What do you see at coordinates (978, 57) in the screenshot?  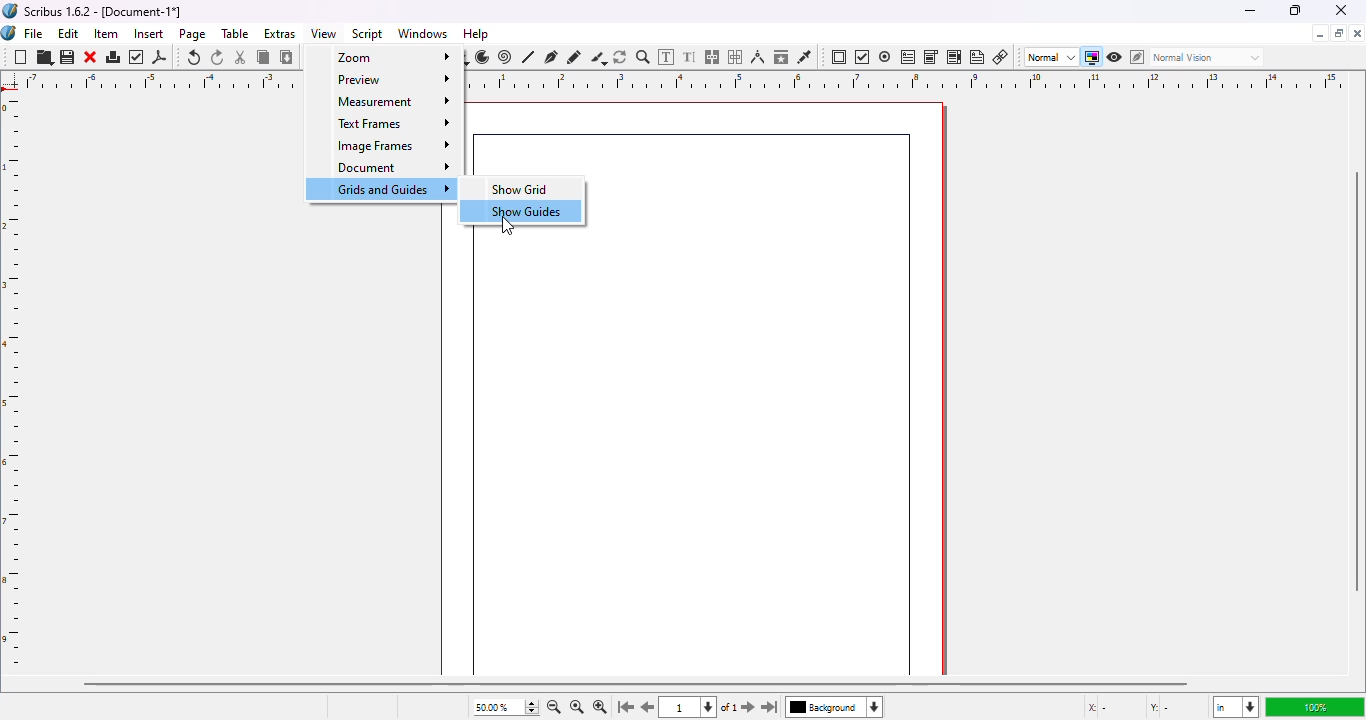 I see `text annotation` at bounding box center [978, 57].